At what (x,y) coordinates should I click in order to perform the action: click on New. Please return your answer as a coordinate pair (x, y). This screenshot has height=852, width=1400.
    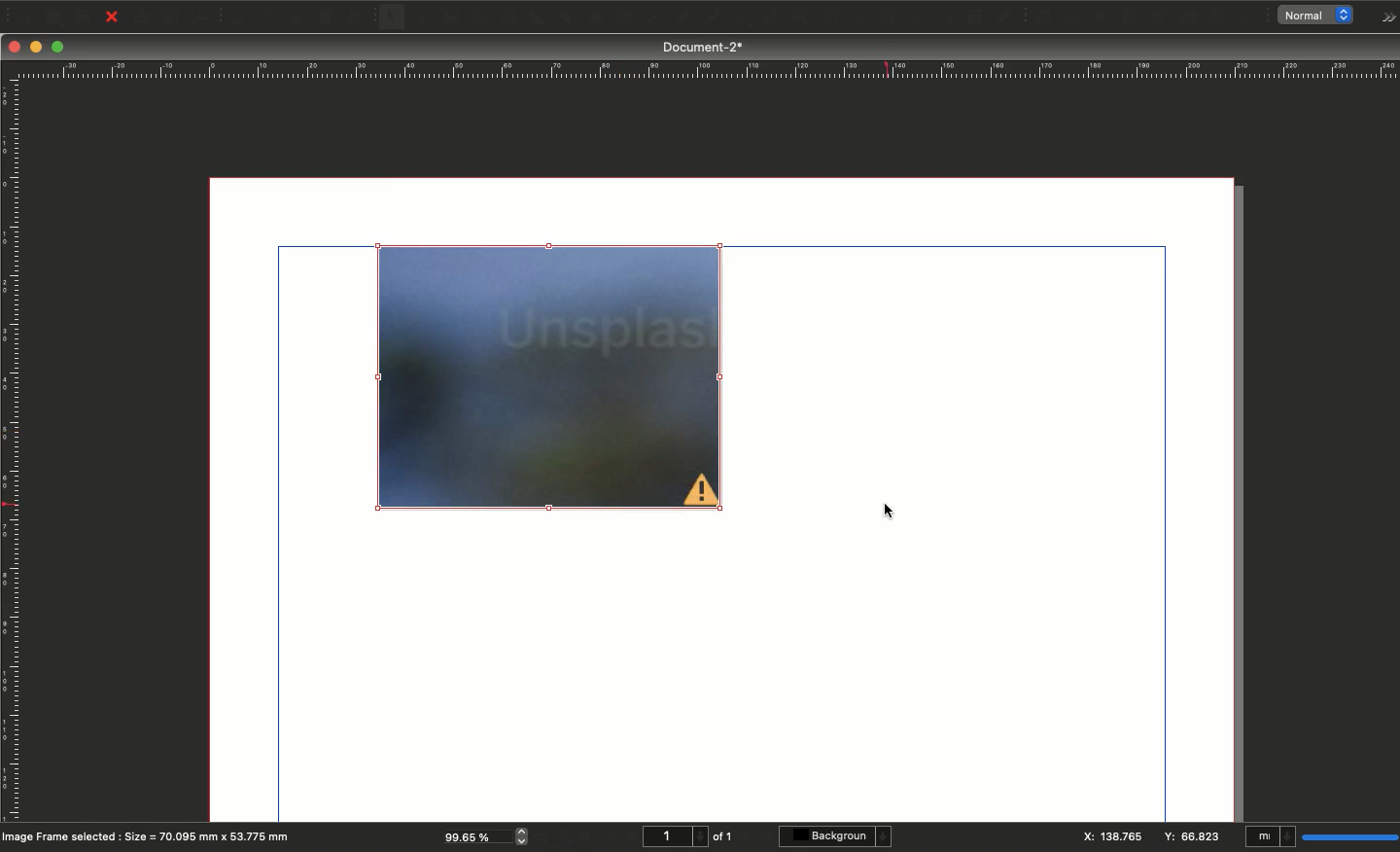
    Looking at the image, I should click on (21, 15).